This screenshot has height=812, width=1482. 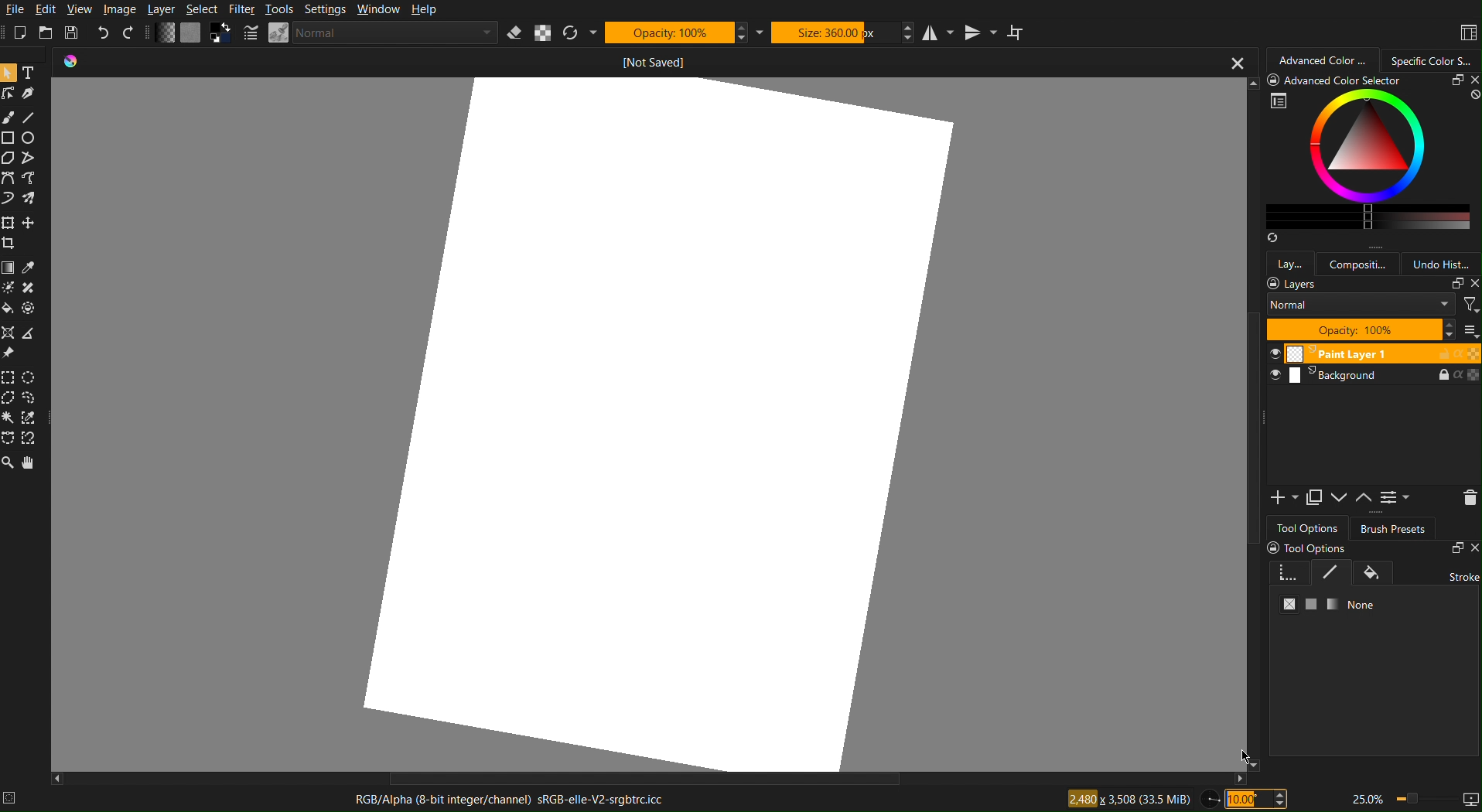 What do you see at coordinates (8, 332) in the screenshot?
I see `vanishing Point Assistant Tool` at bounding box center [8, 332].